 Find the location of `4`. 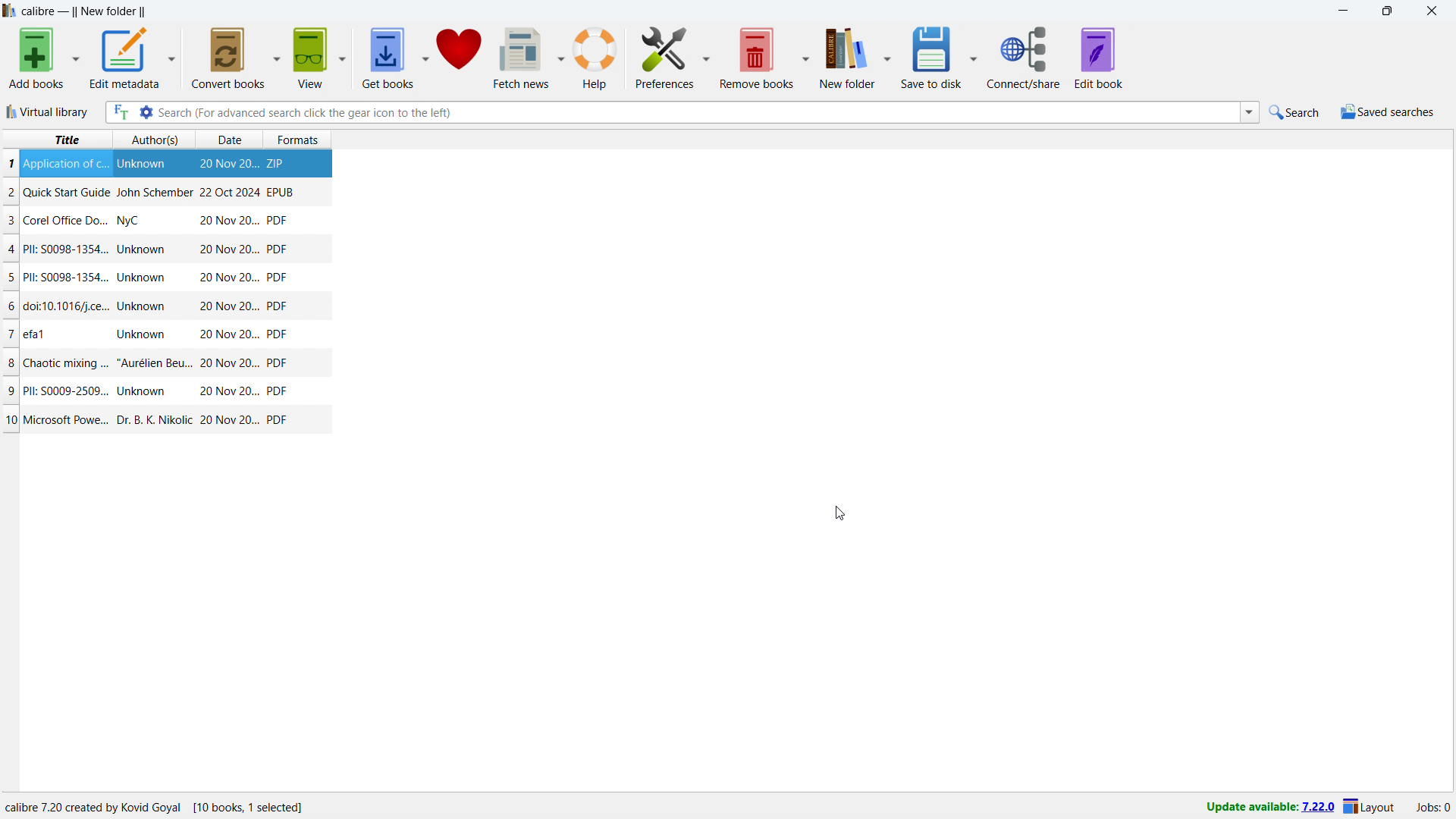

4 is located at coordinates (12, 249).